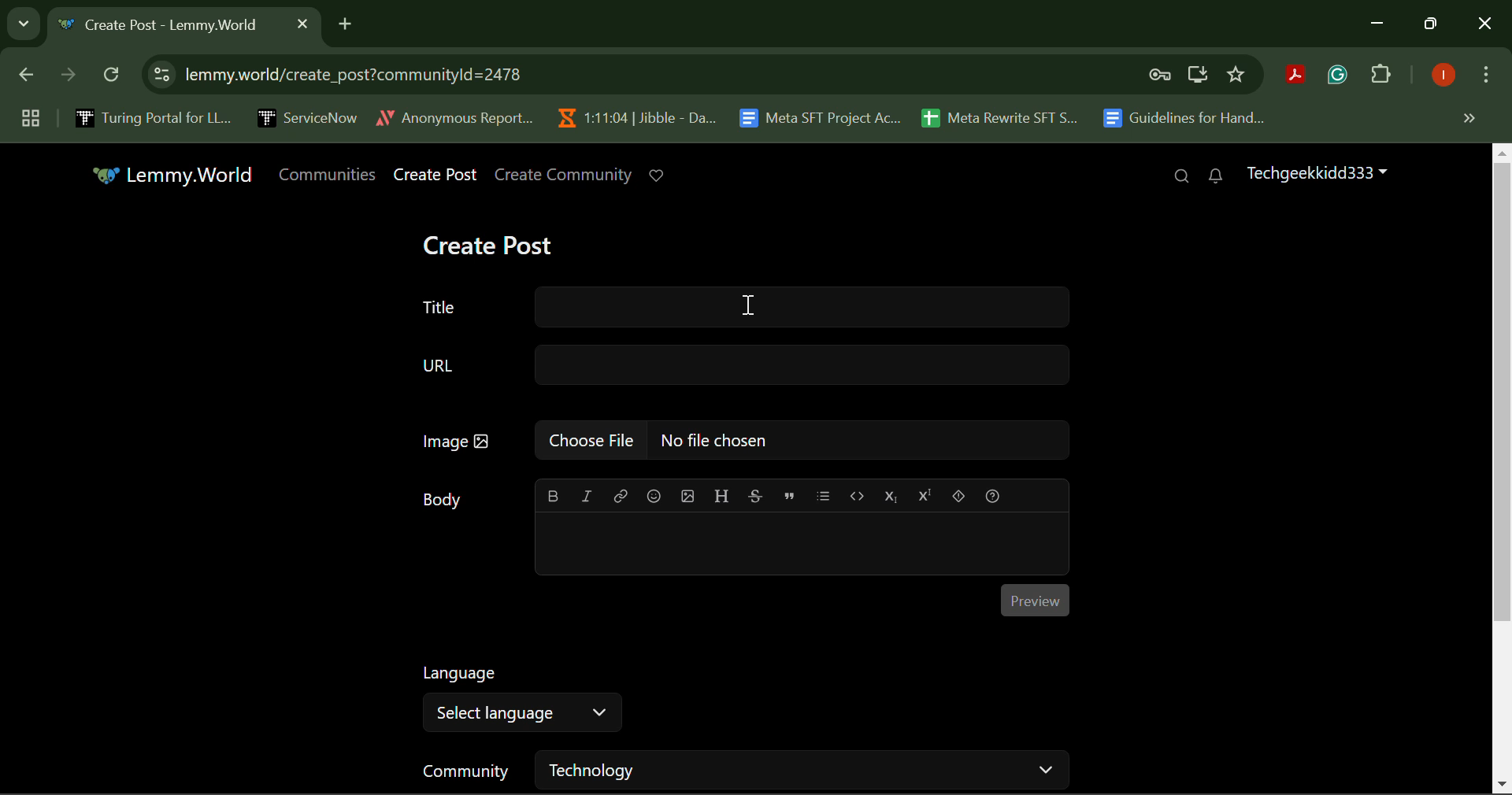 The height and width of the screenshot is (795, 1512). I want to click on Bookmark, so click(1237, 75).